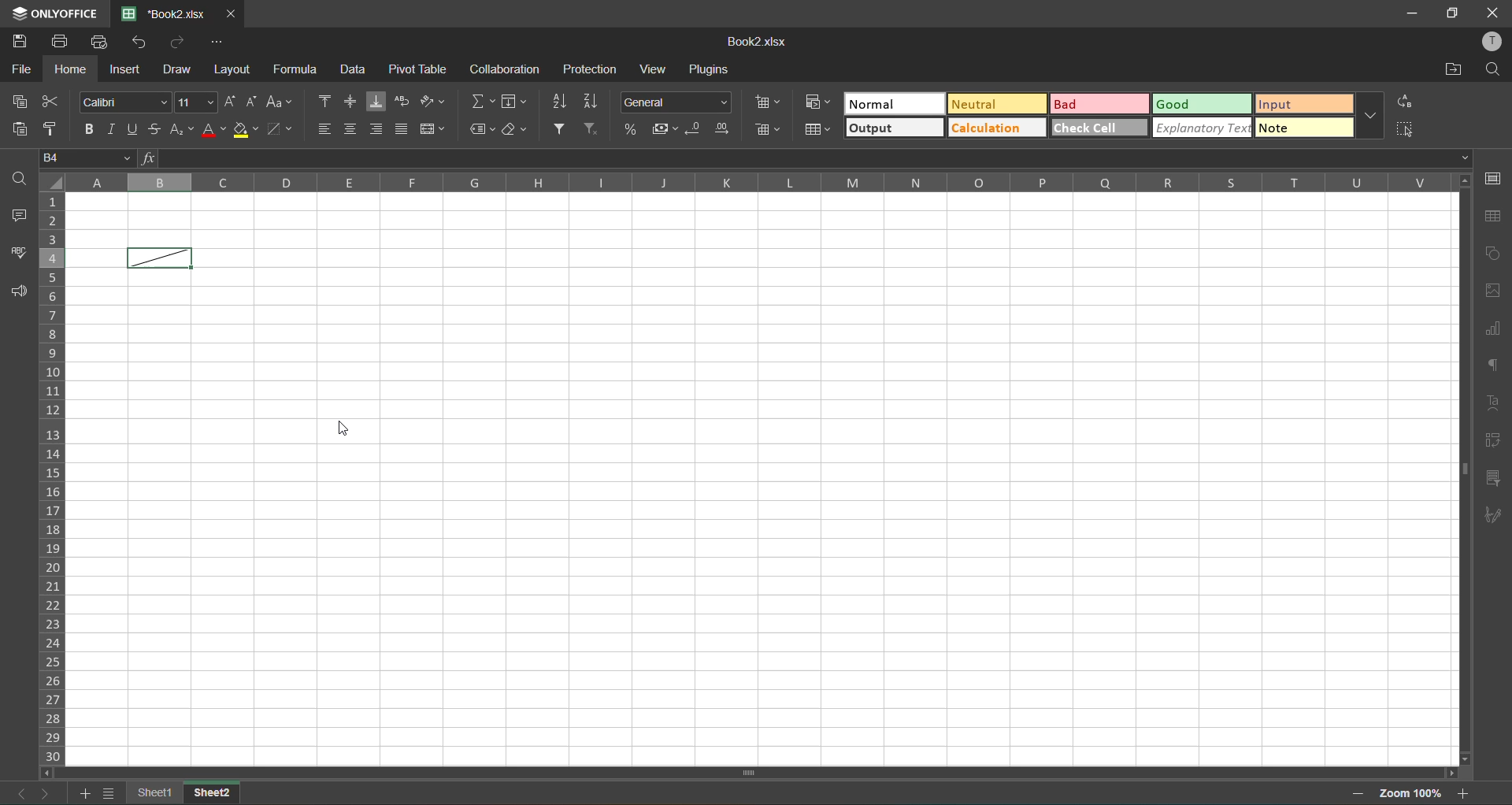 This screenshot has width=1512, height=805. I want to click on sheet list, so click(109, 794).